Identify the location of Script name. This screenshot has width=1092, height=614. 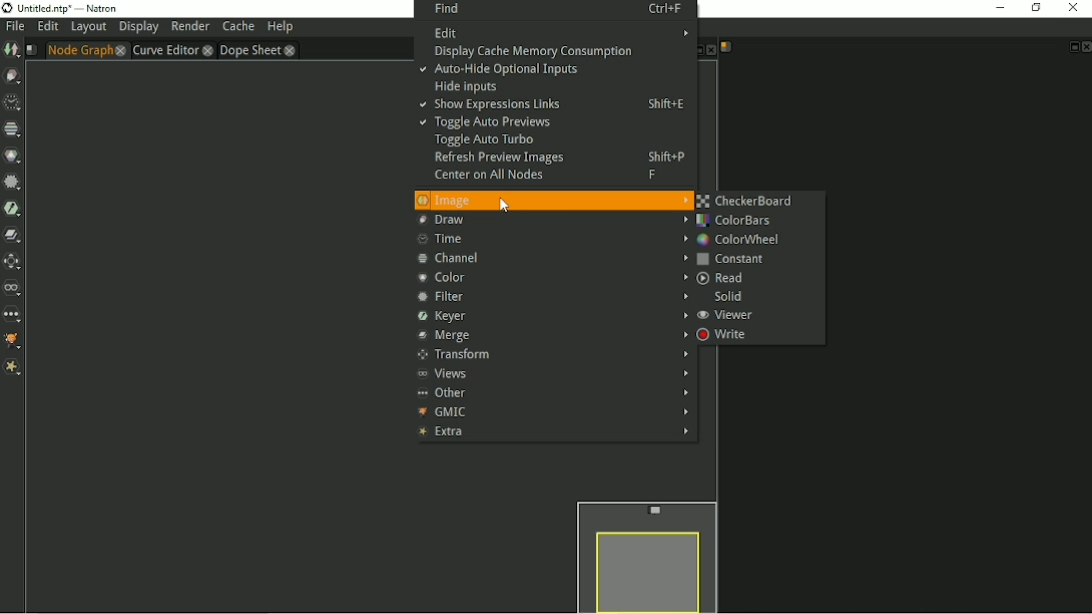
(726, 47).